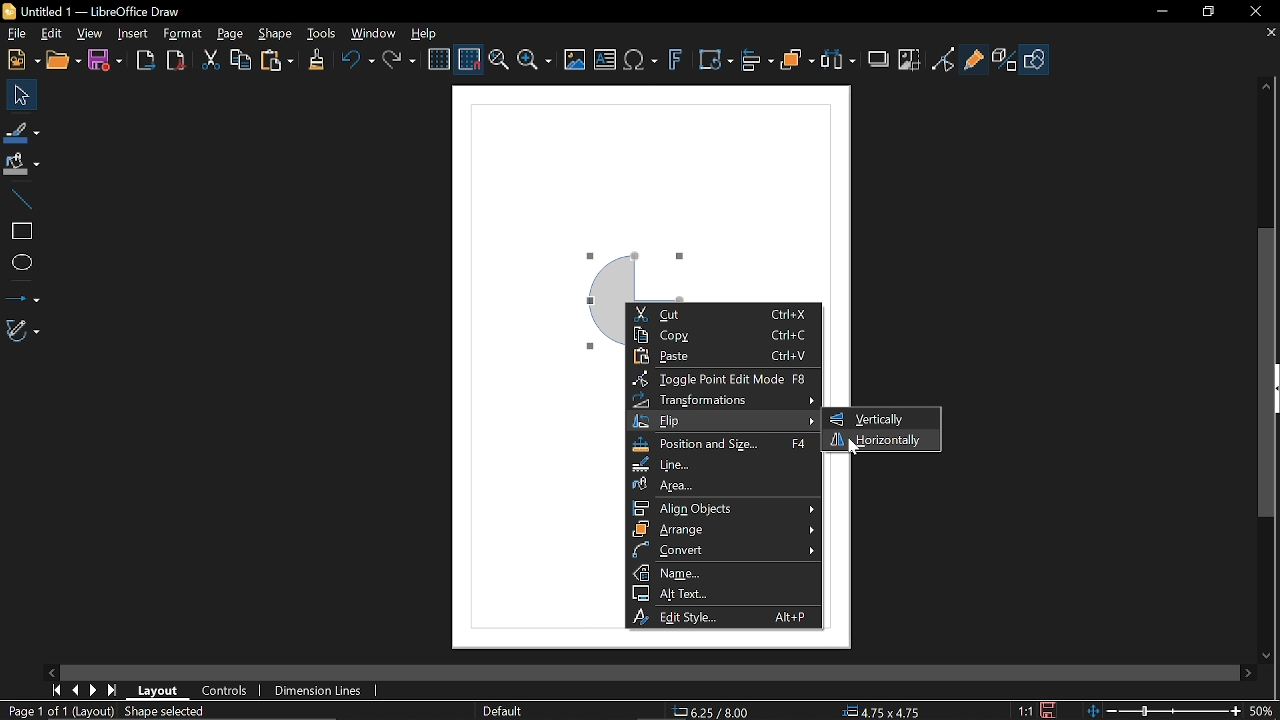  What do you see at coordinates (51, 673) in the screenshot?
I see `Move left` at bounding box center [51, 673].